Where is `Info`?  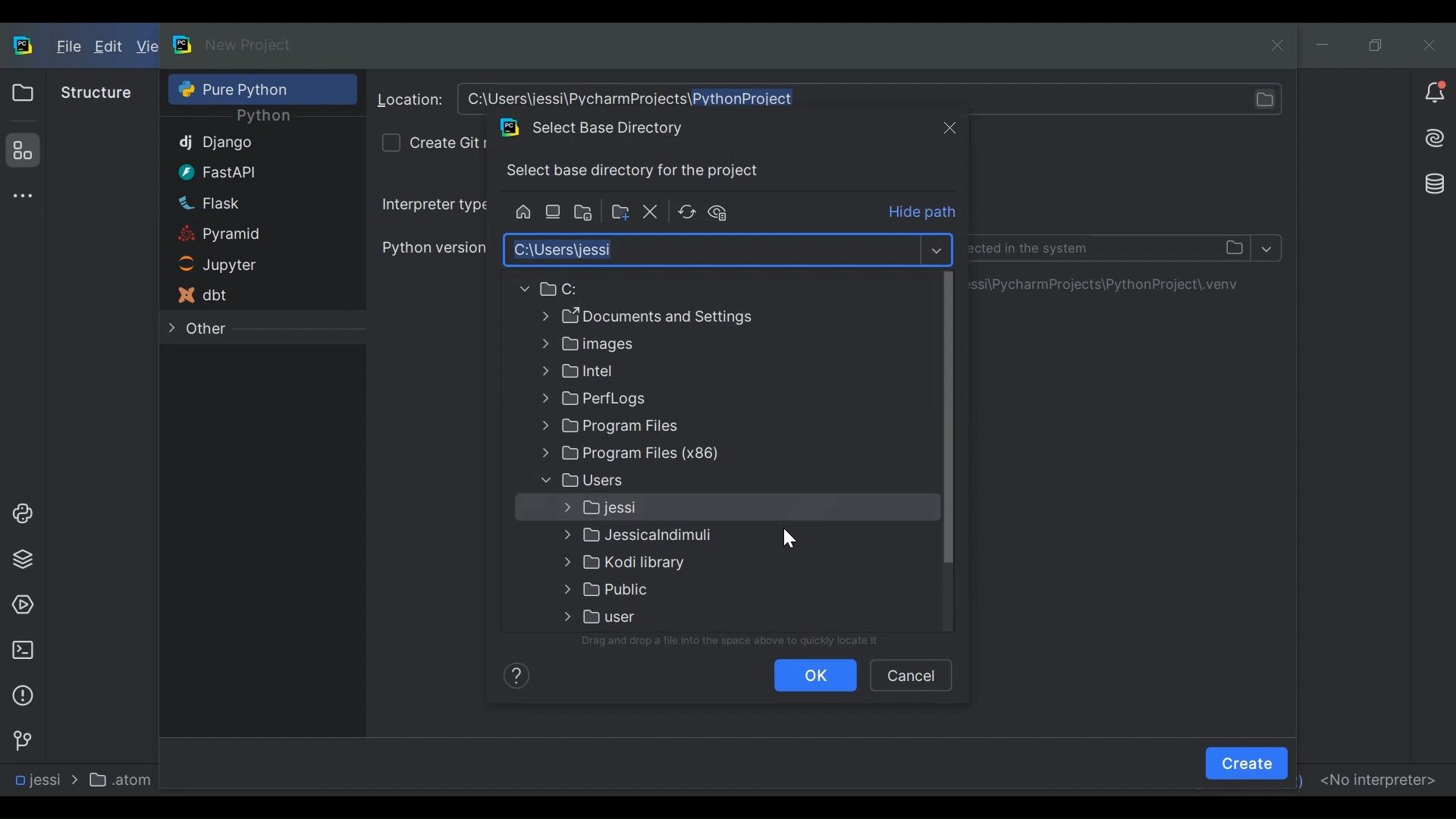
Info is located at coordinates (513, 674).